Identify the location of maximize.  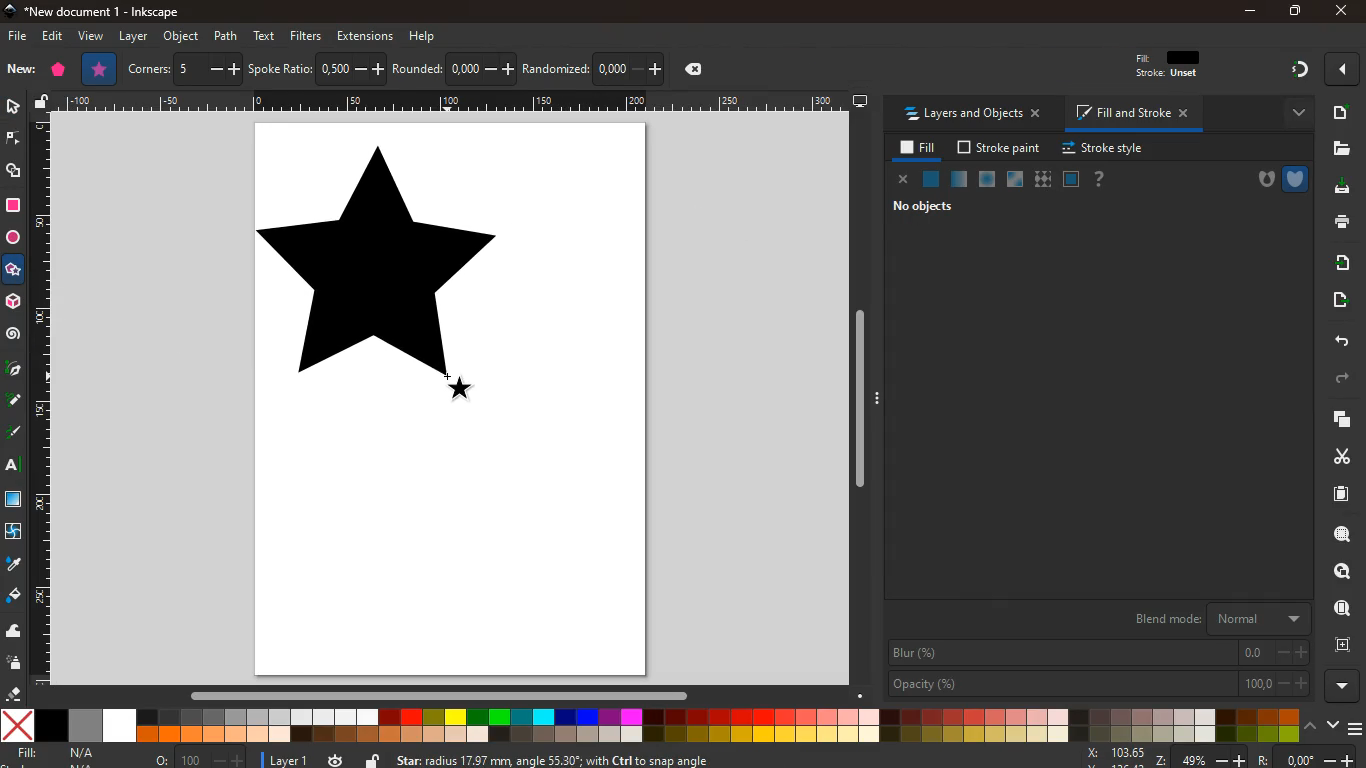
(1293, 9).